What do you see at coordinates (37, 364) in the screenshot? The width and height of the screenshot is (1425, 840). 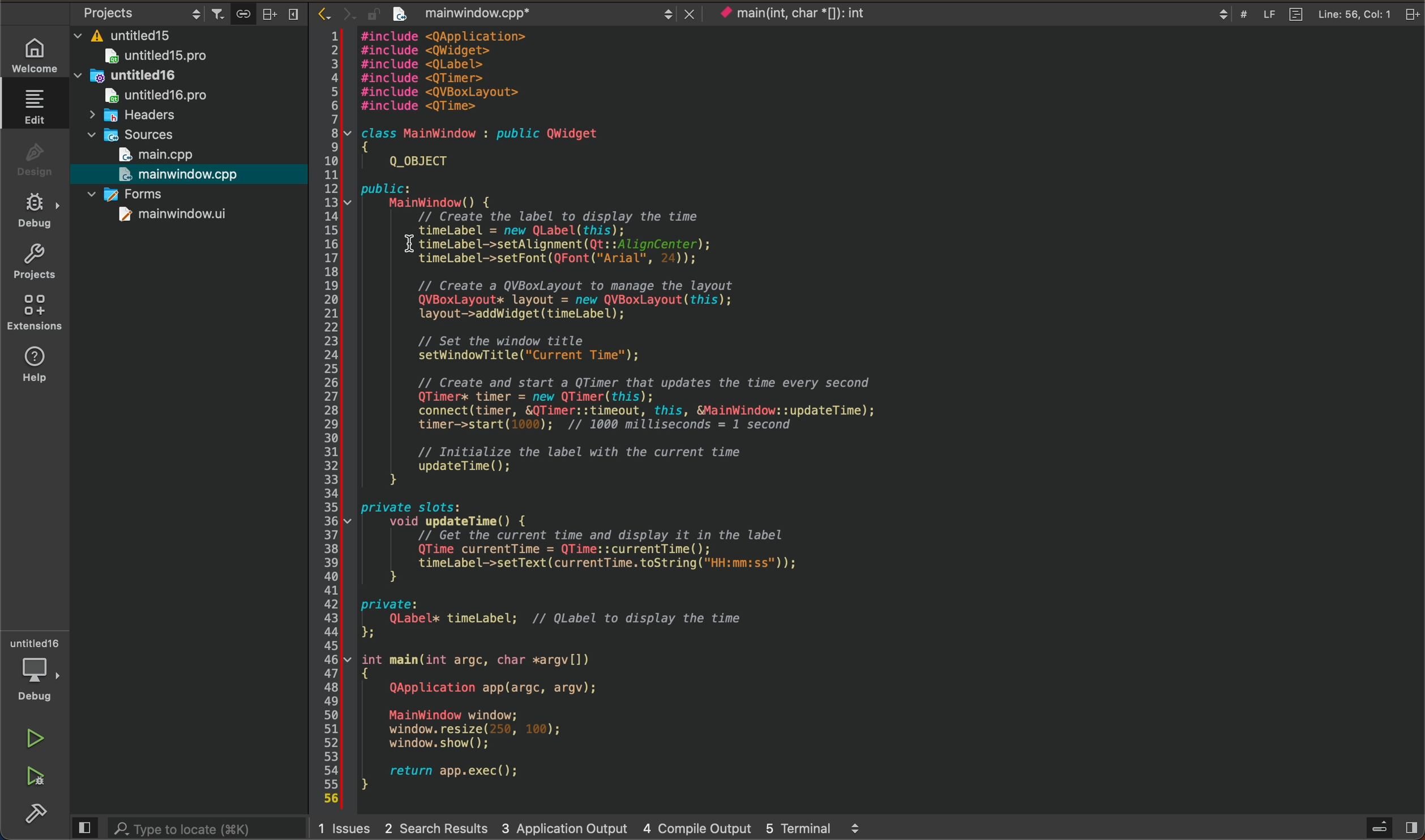 I see `help` at bounding box center [37, 364].